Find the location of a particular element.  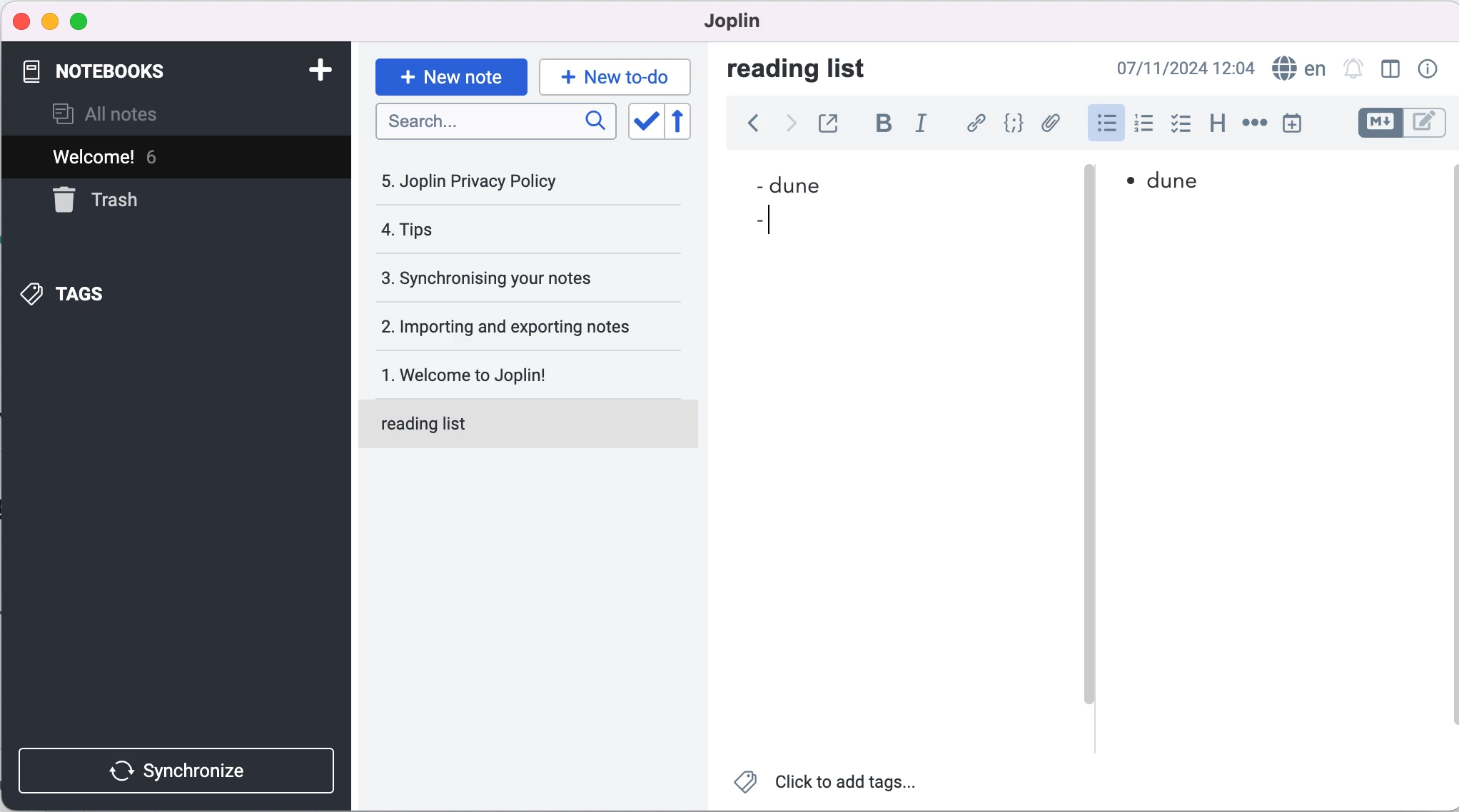

language is located at coordinates (1298, 68).